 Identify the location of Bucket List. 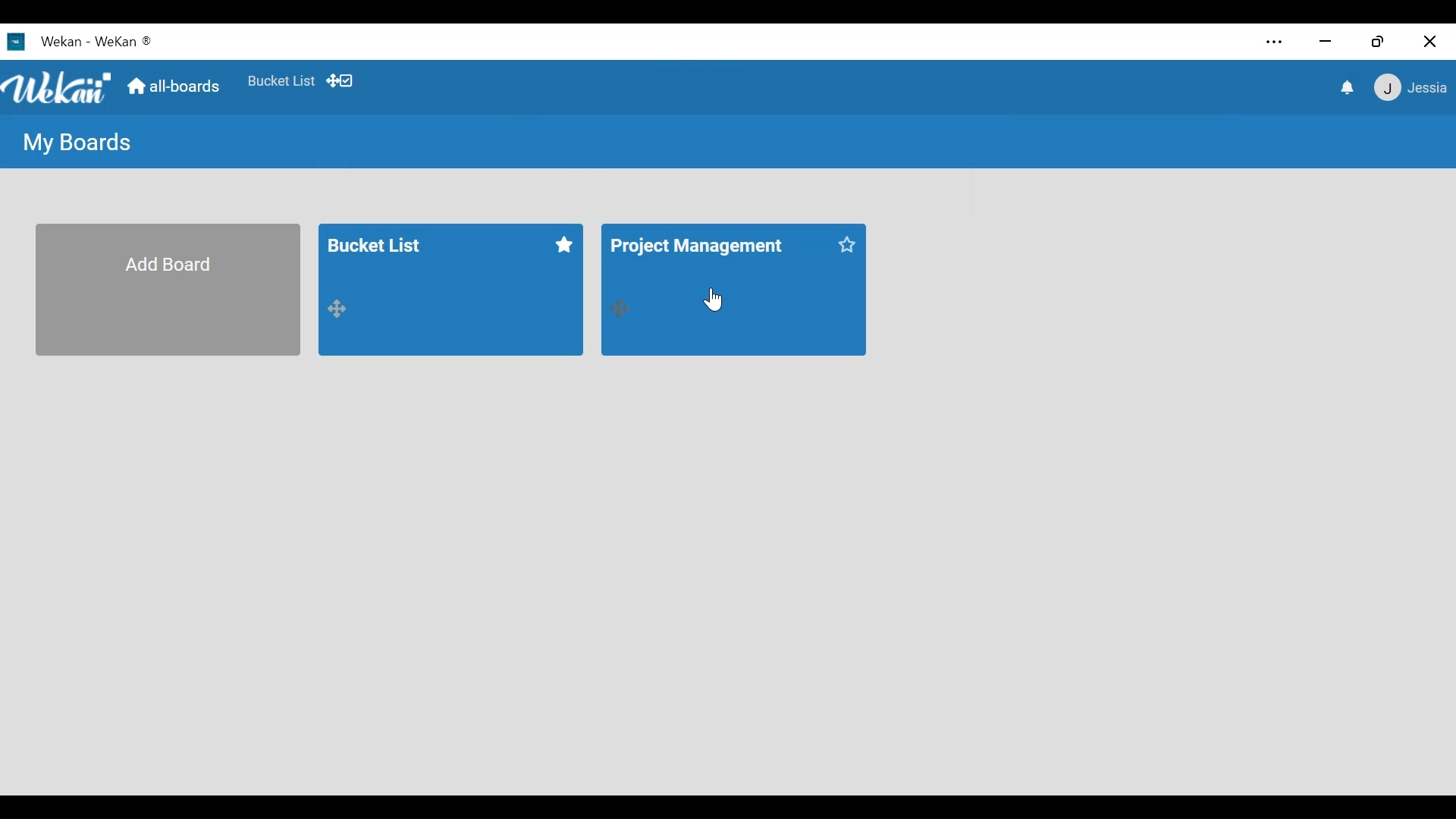
(435, 257).